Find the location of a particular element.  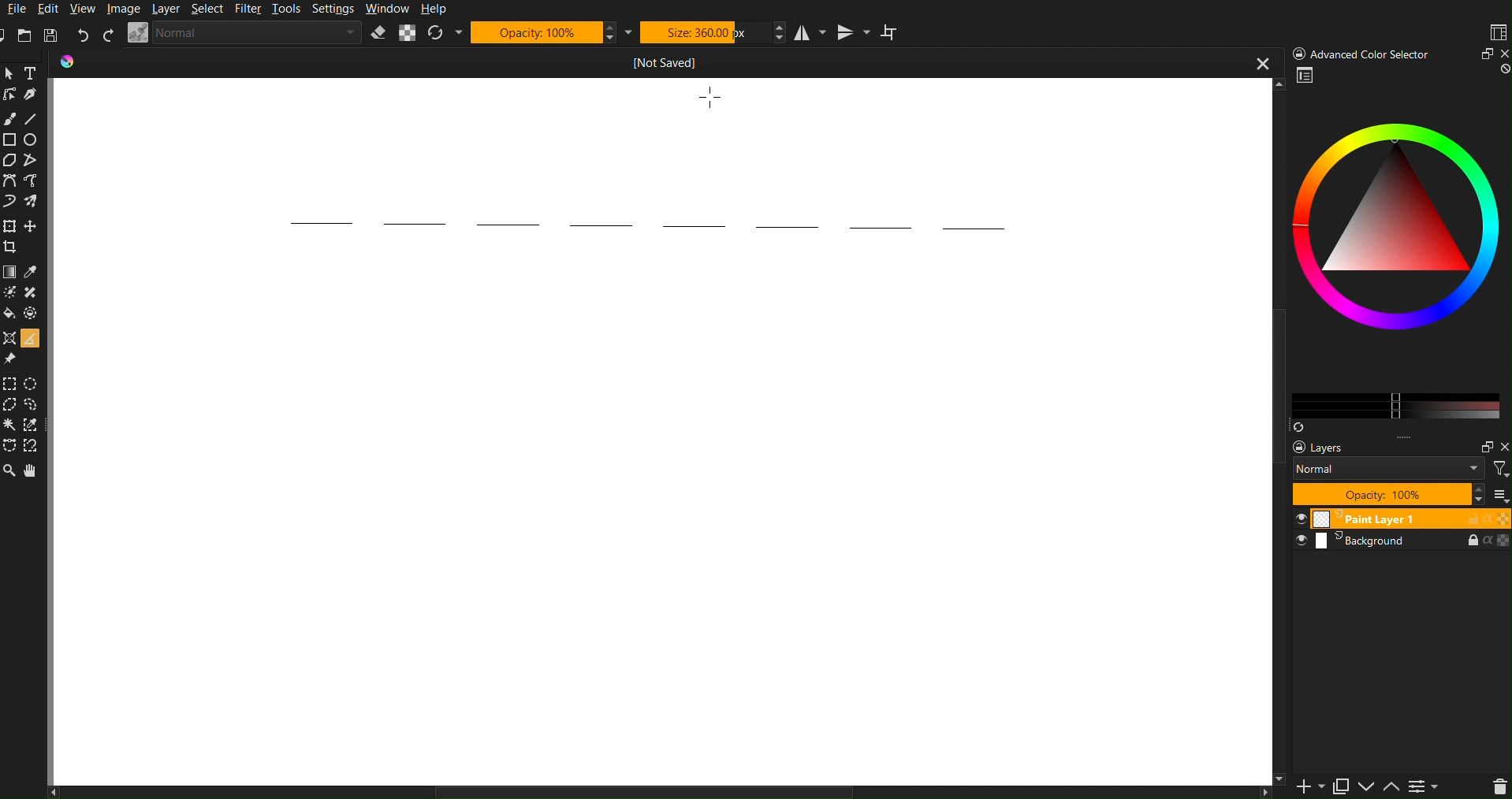

Filter is located at coordinates (251, 9).